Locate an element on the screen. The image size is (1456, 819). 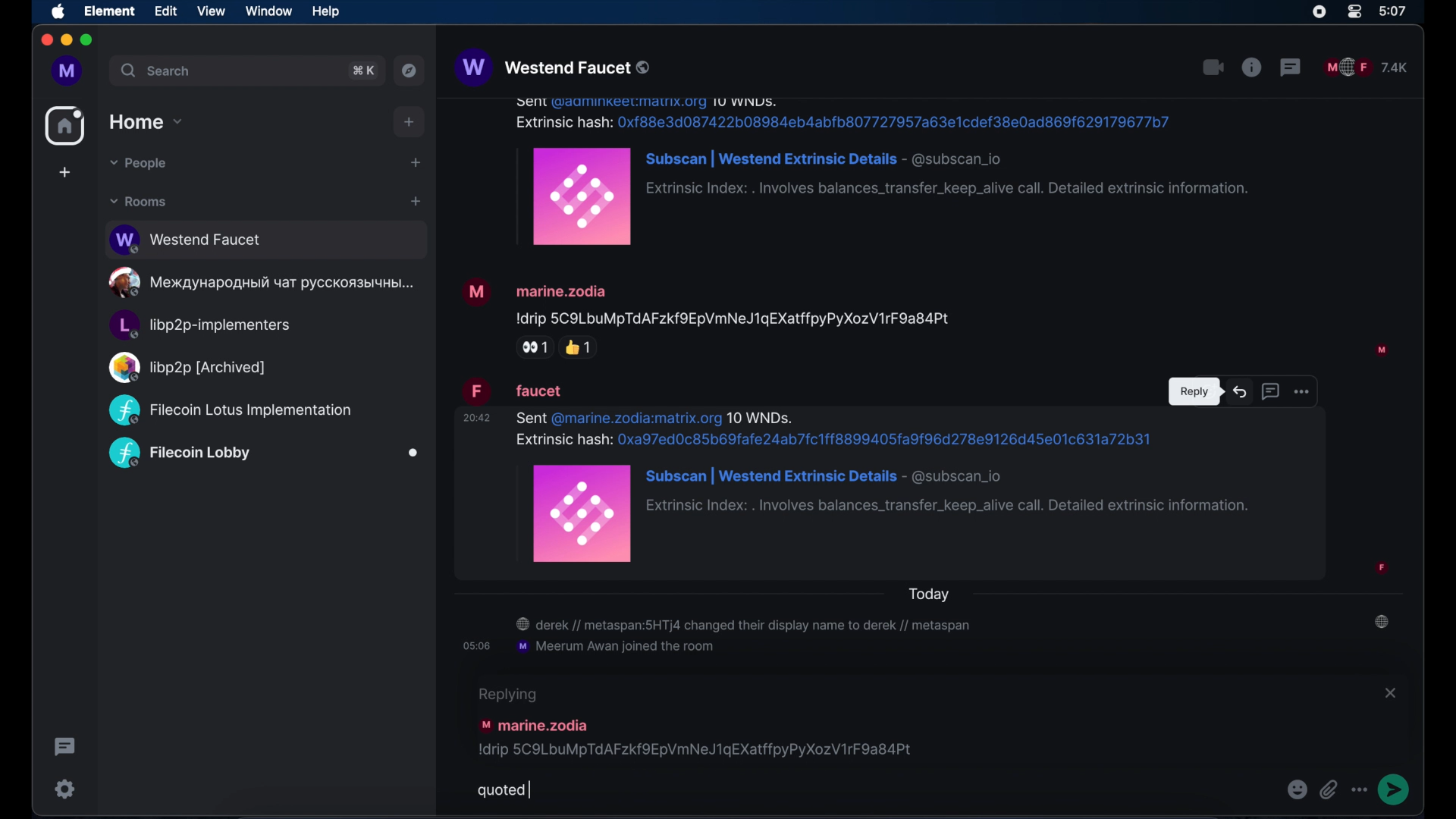
window is located at coordinates (268, 12).